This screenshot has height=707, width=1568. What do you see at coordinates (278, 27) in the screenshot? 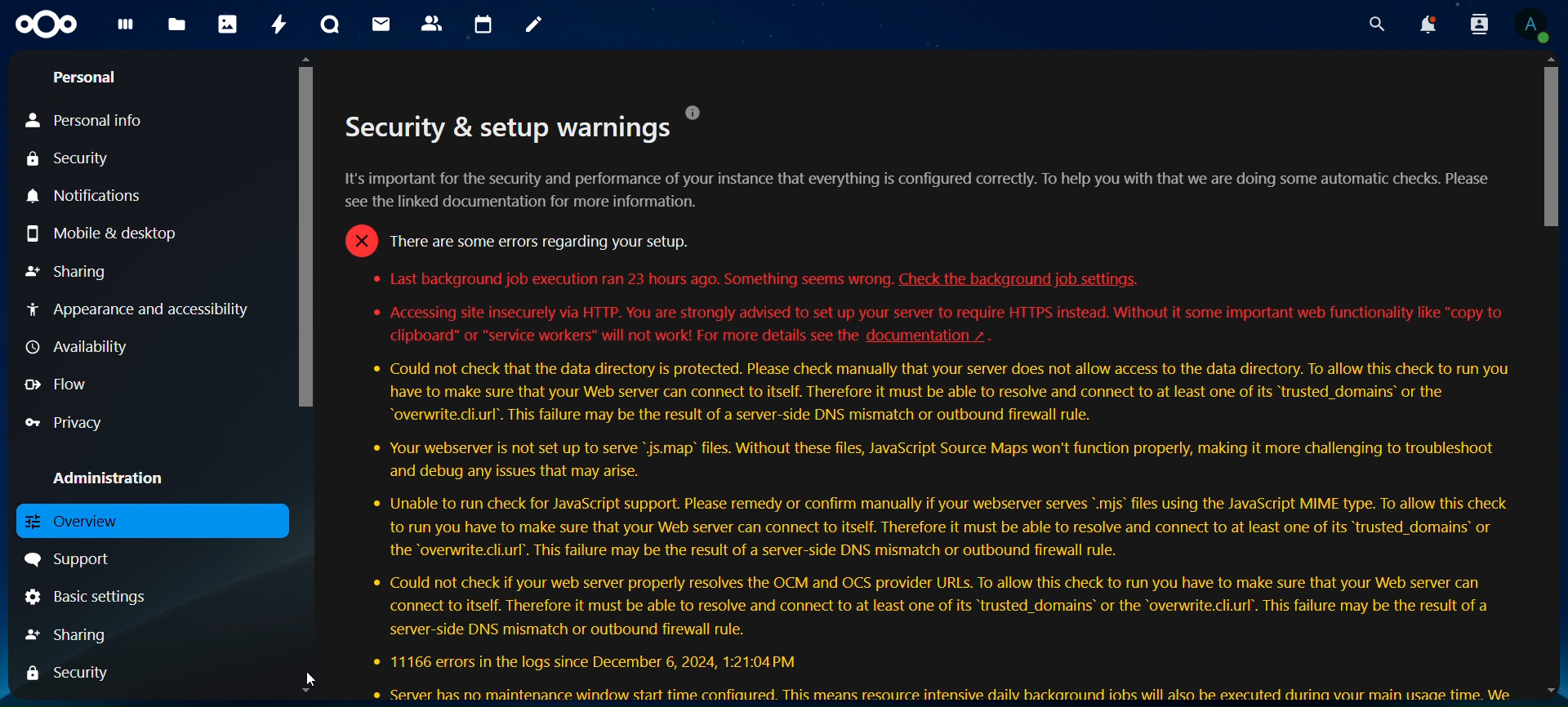
I see `activity` at bounding box center [278, 27].